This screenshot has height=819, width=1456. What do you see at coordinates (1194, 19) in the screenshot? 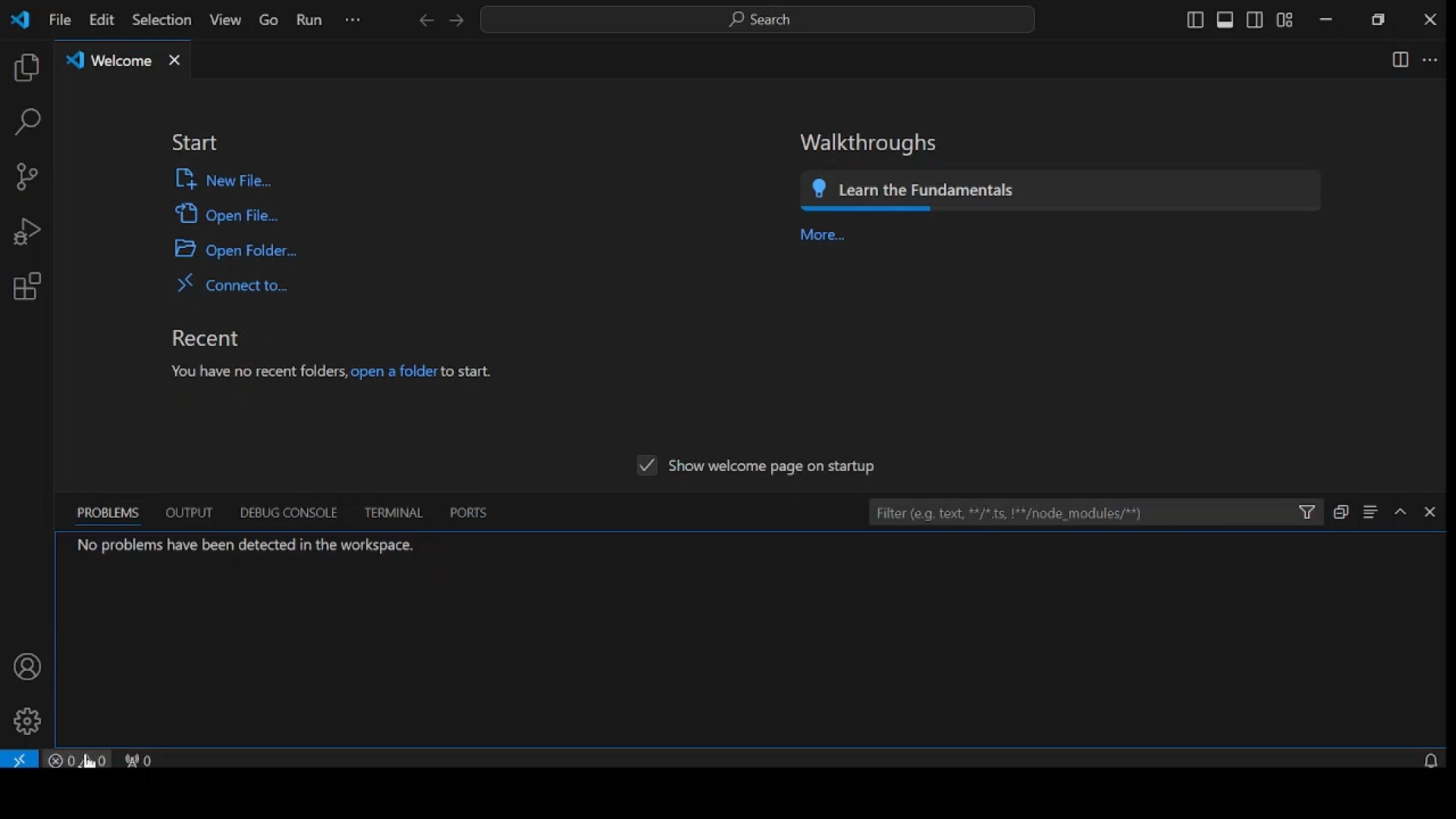
I see `toggle primary sidebar` at bounding box center [1194, 19].